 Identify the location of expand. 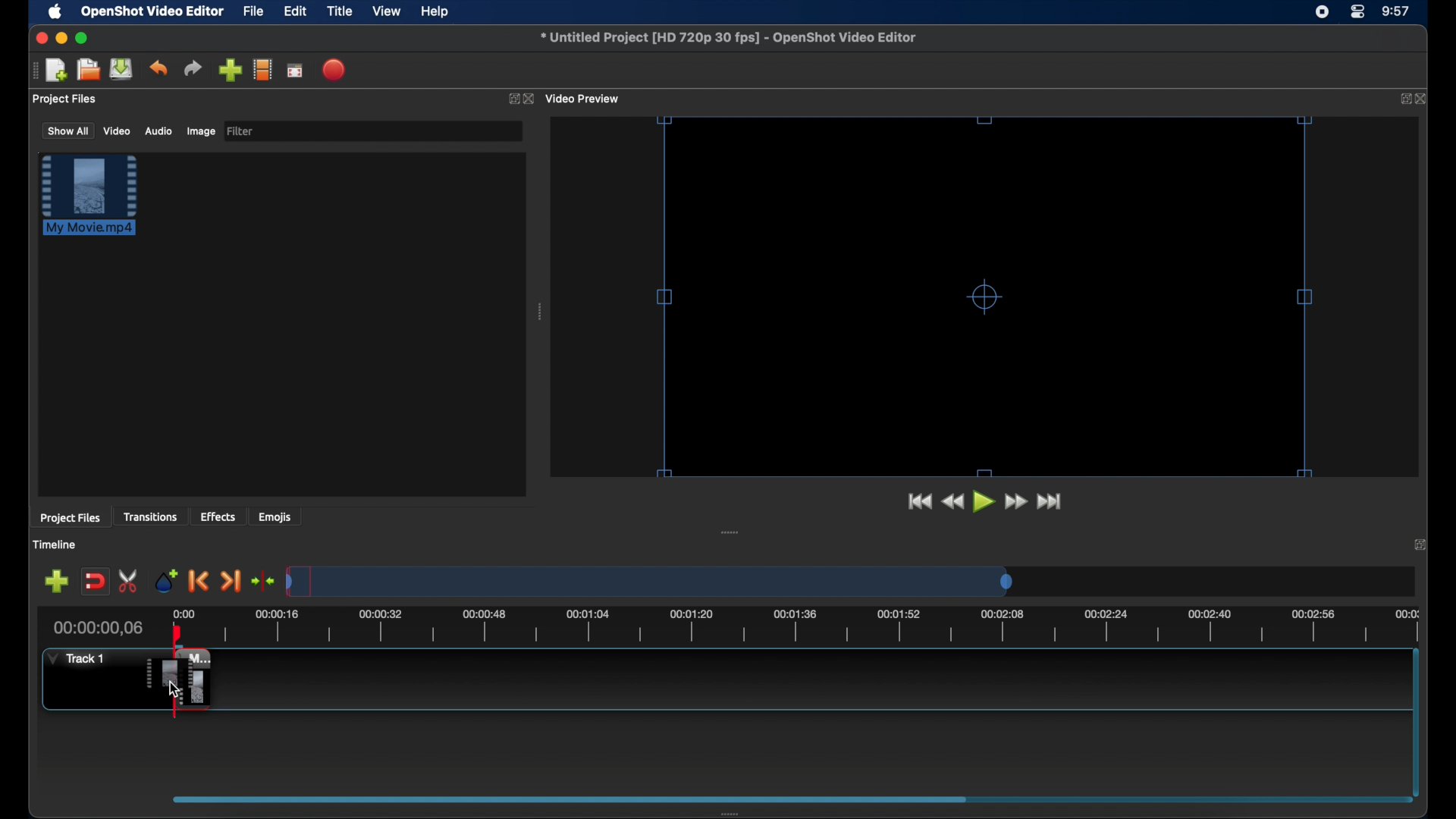
(1401, 99).